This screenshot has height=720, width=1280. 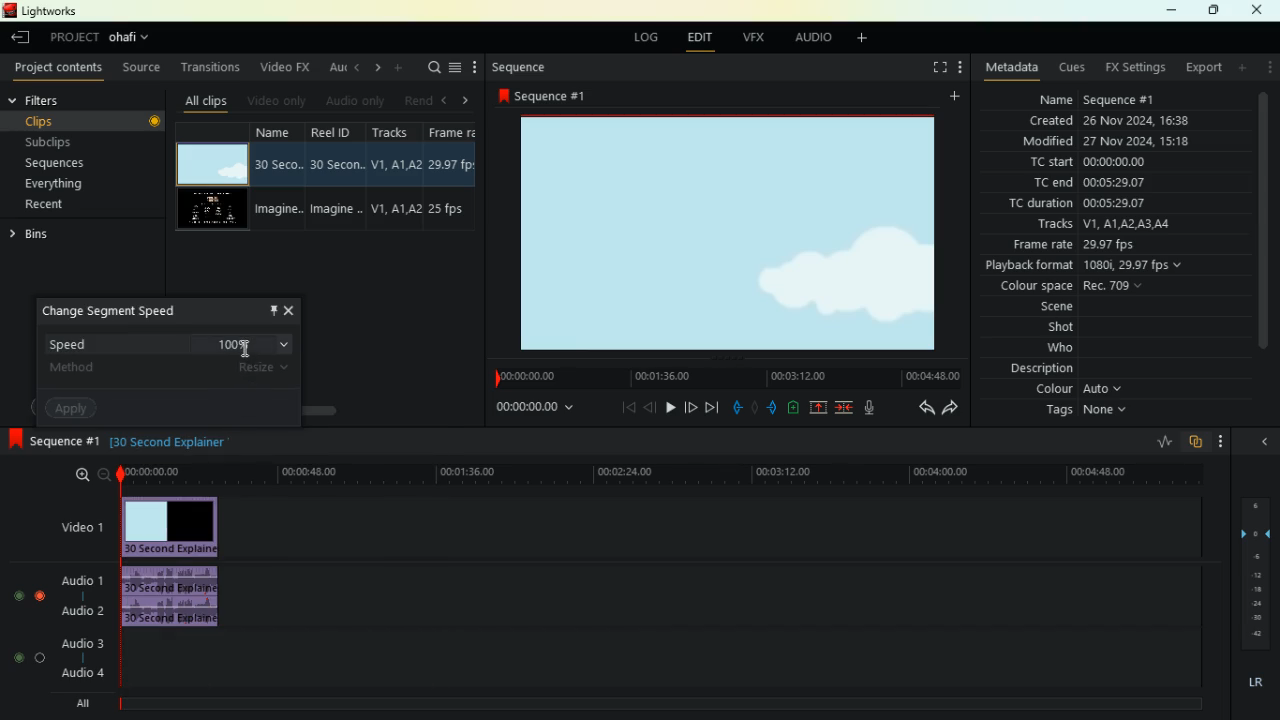 I want to click on pin, so click(x=273, y=310).